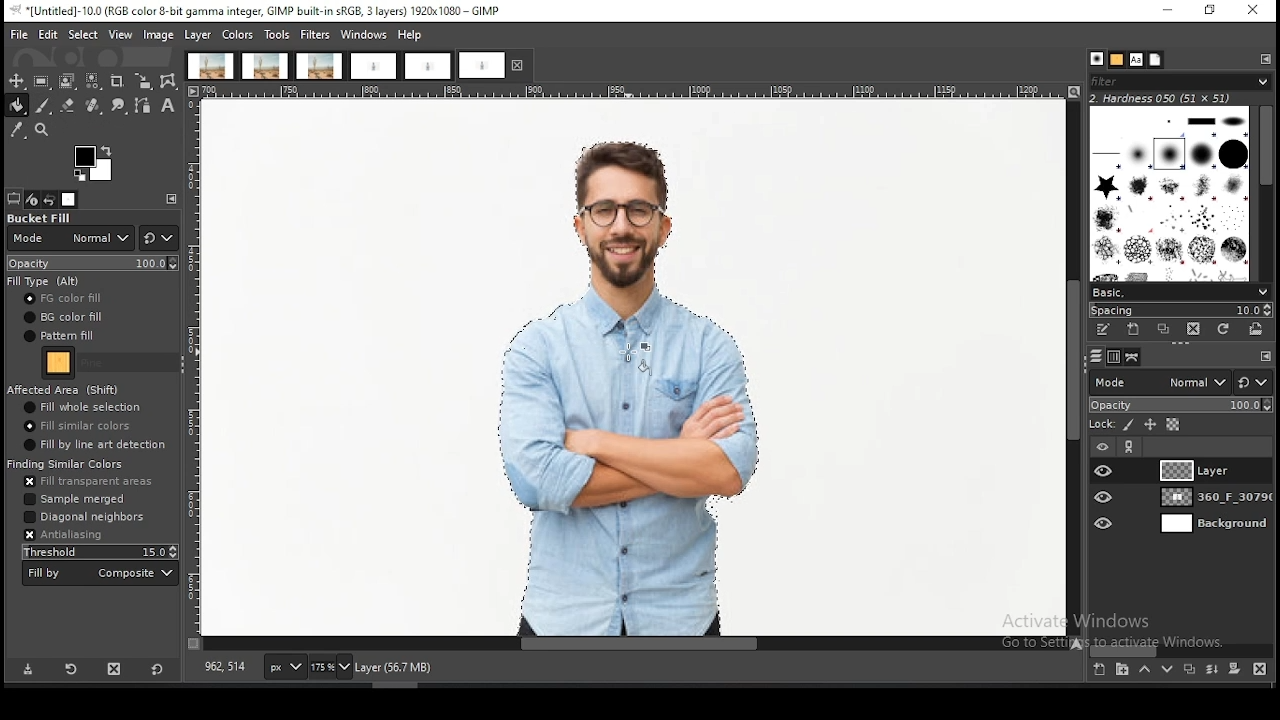  Describe the element at coordinates (1161, 98) in the screenshot. I see `hardness 050 (51x51)` at that location.